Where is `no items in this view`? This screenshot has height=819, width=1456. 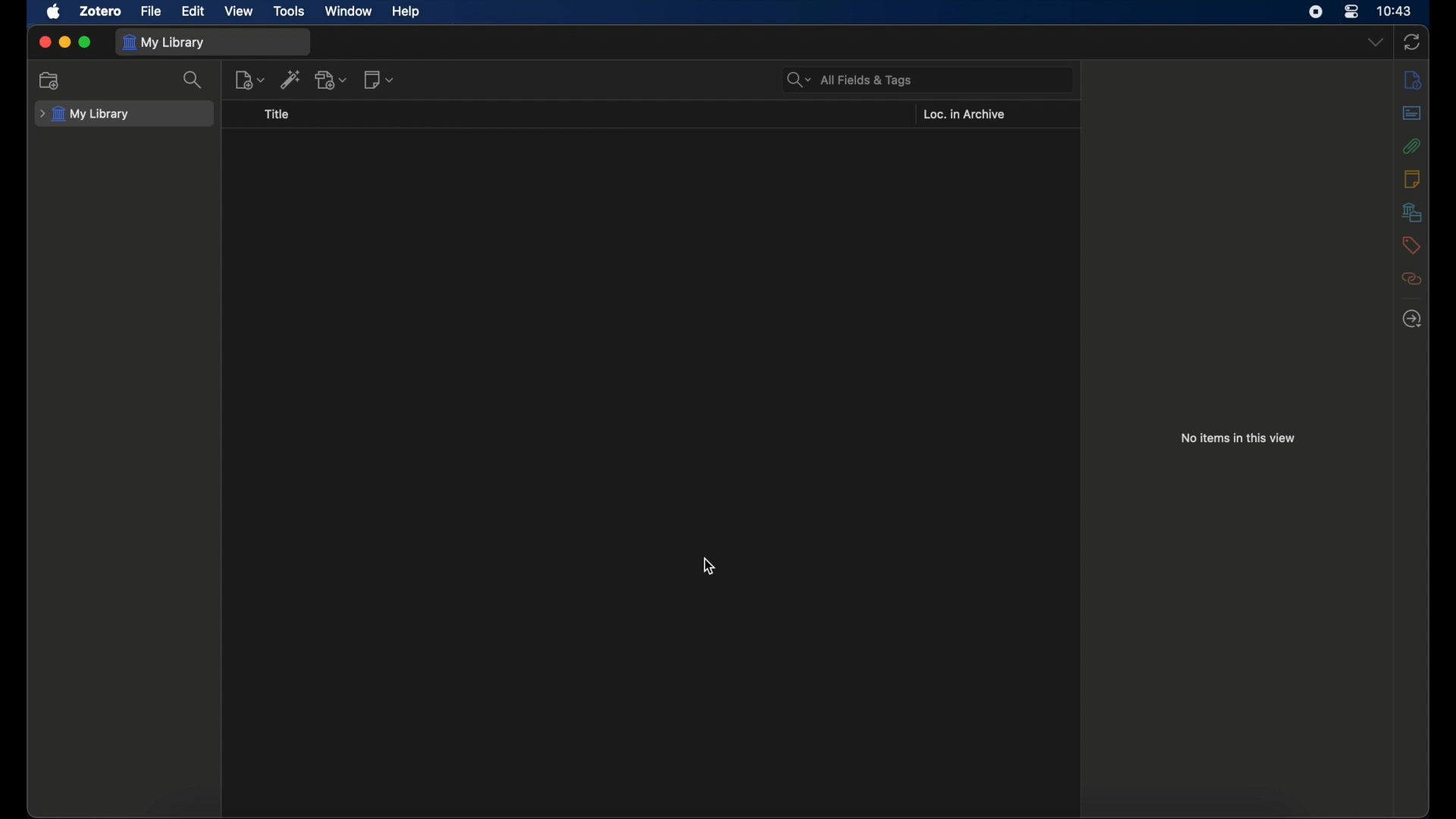 no items in this view is located at coordinates (1238, 438).